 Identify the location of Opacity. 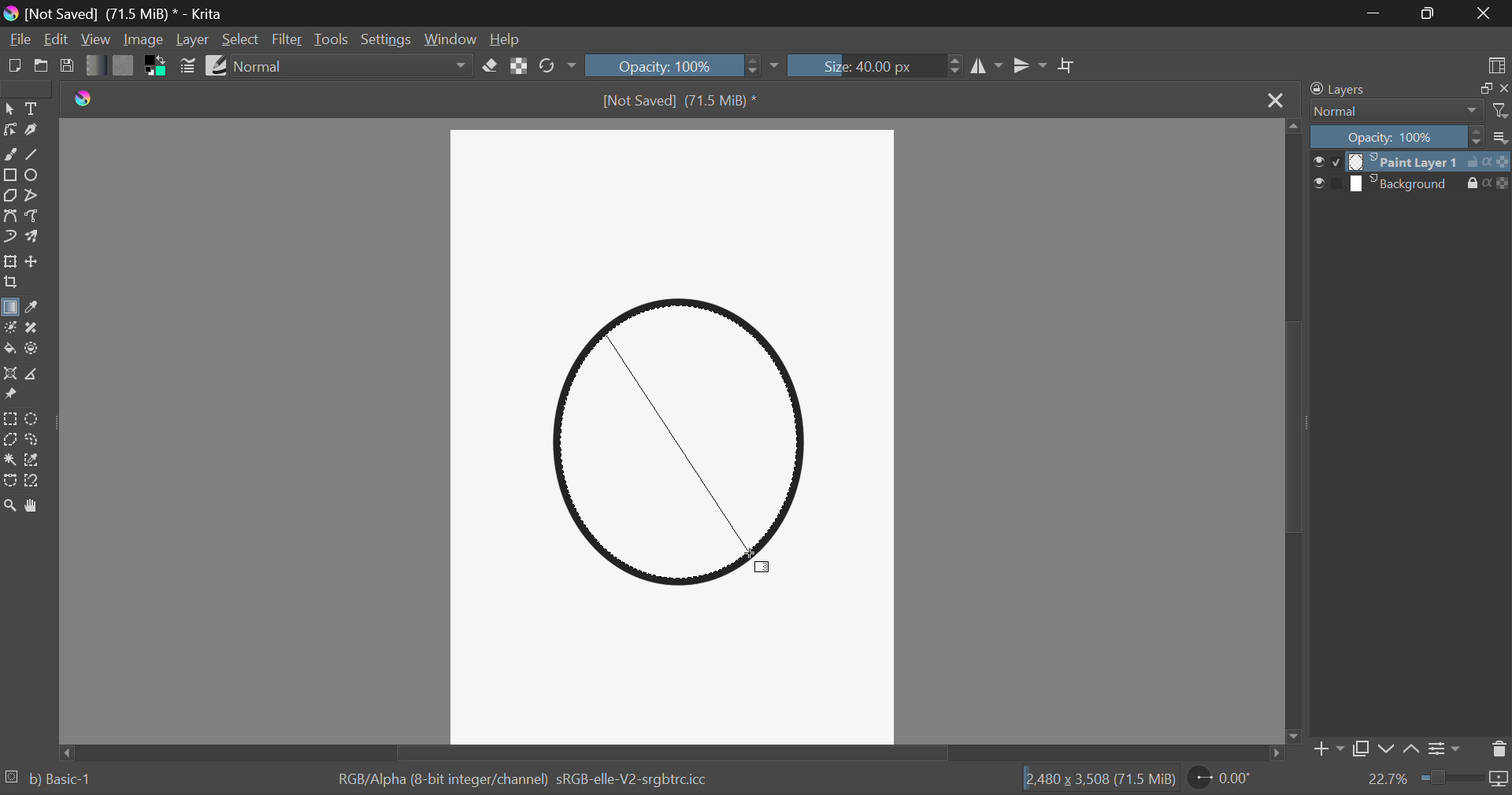
(674, 65).